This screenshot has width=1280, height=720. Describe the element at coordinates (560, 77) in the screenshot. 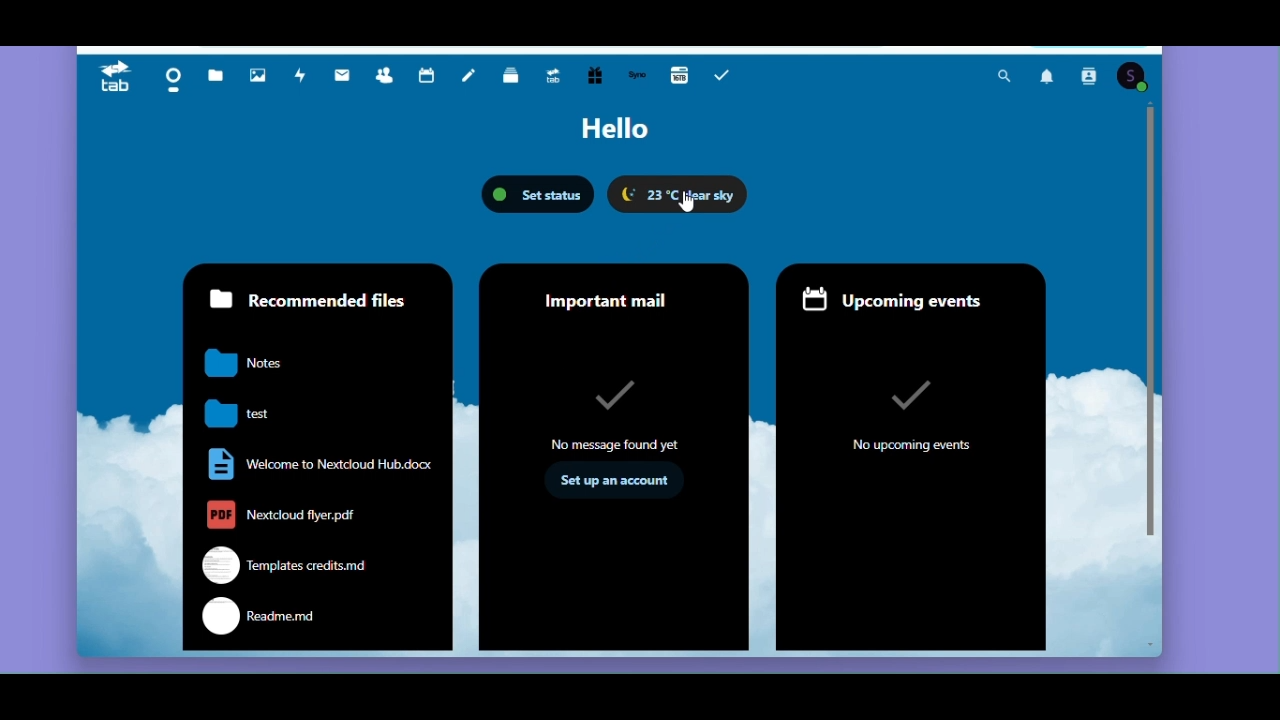

I see `Upgrade` at that location.